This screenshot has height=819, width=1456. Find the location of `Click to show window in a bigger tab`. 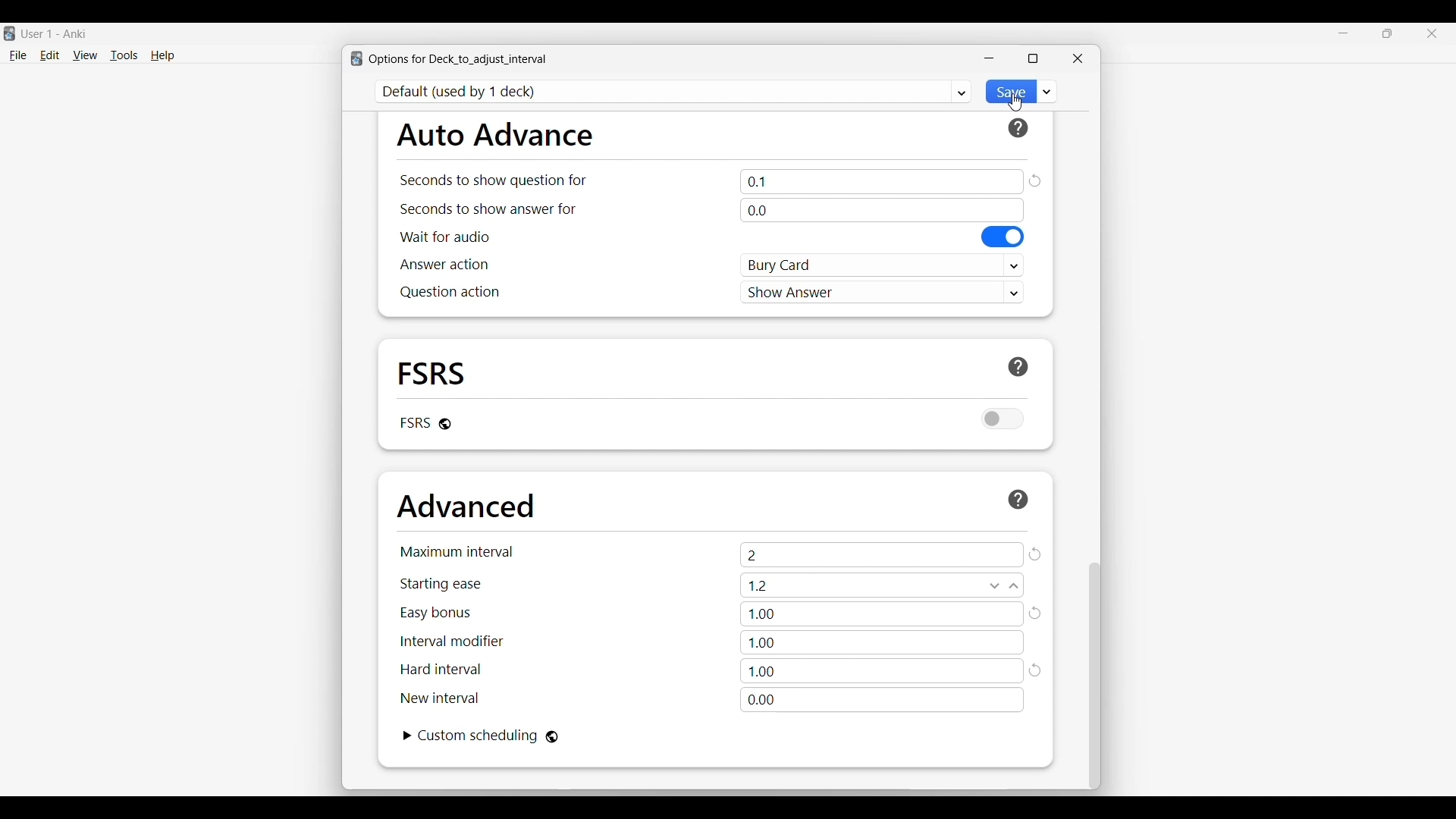

Click to show window in a bigger tab is located at coordinates (1033, 58).